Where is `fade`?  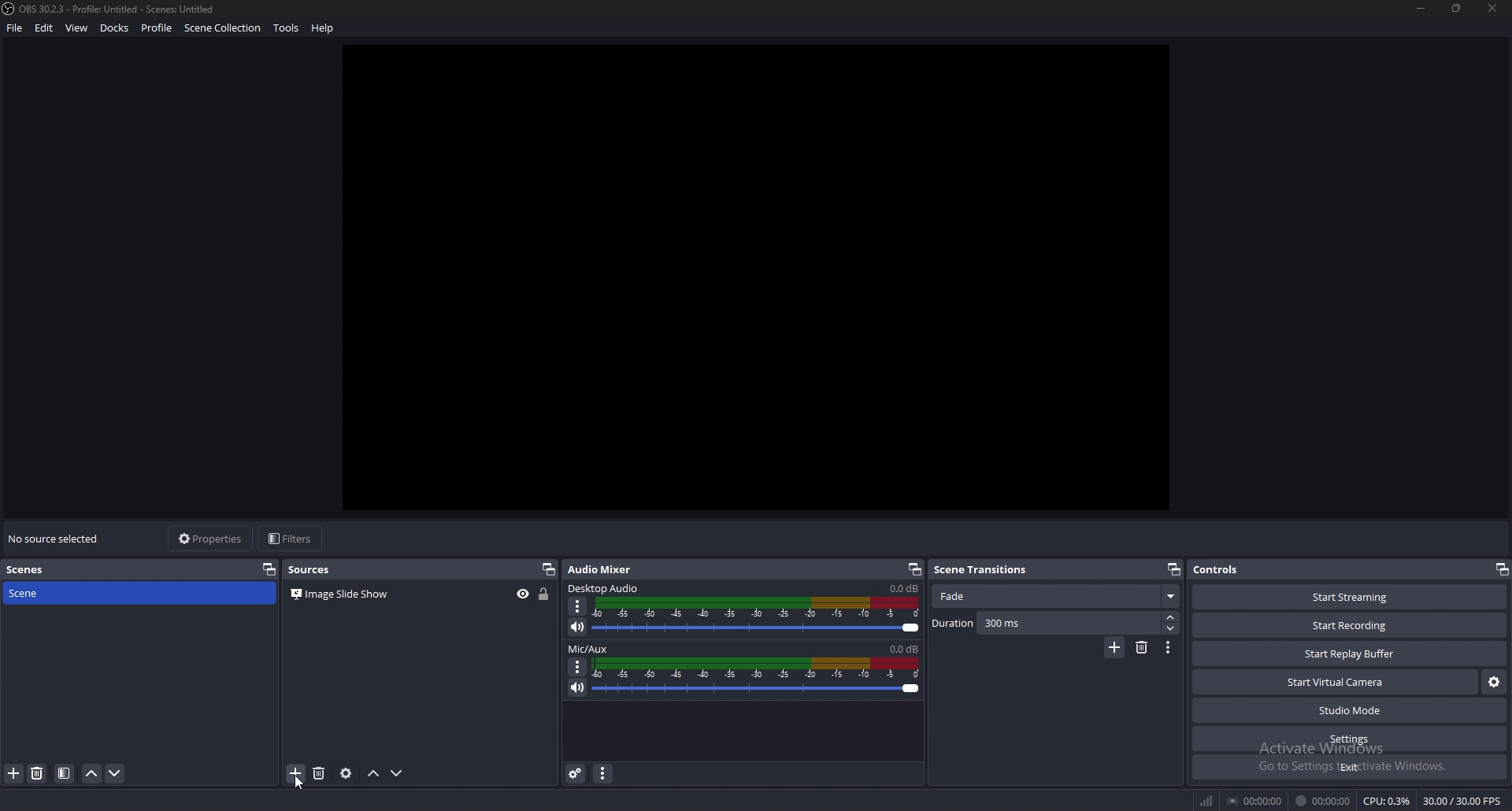 fade is located at coordinates (1055, 597).